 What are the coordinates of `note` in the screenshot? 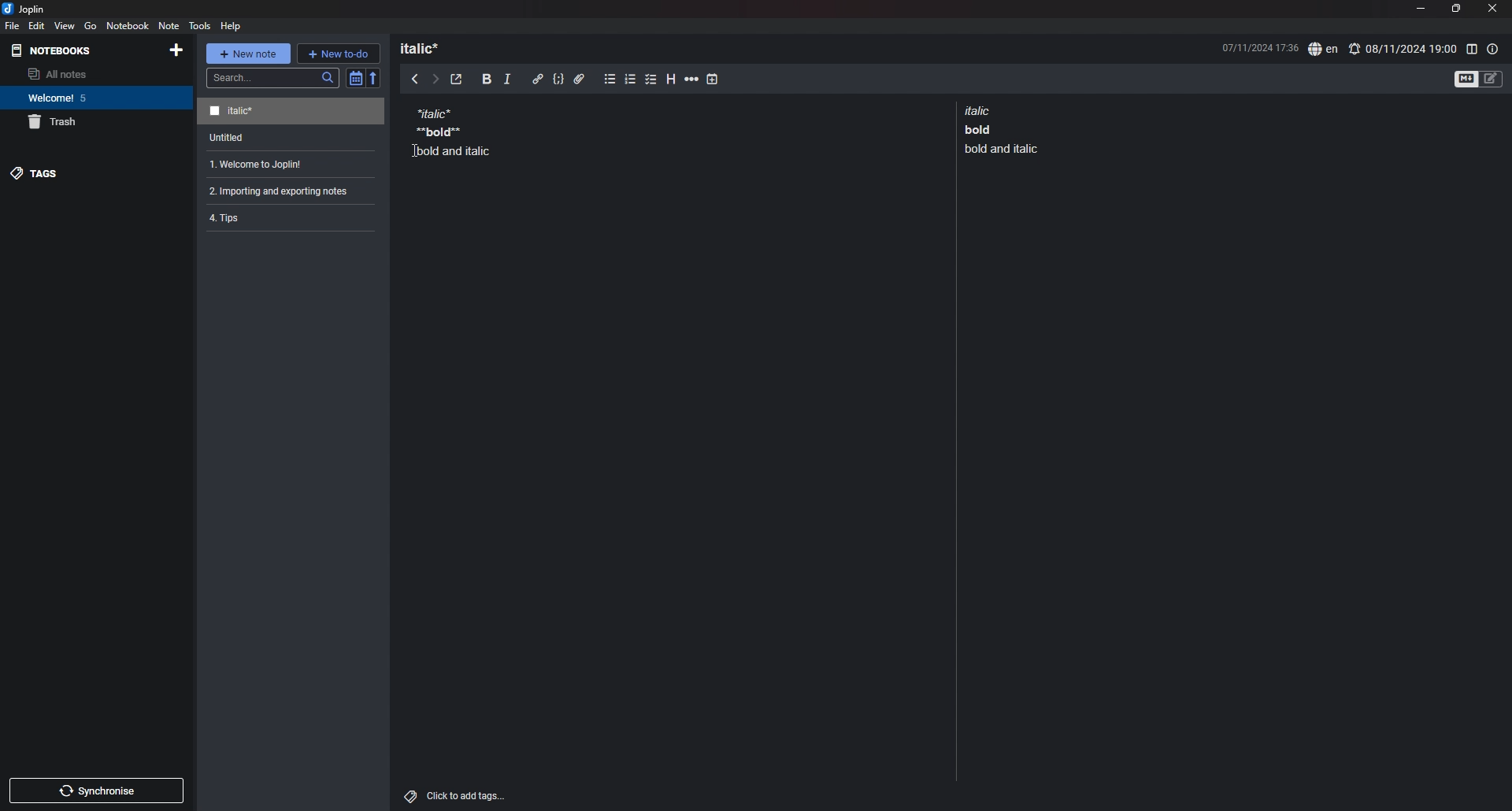 It's located at (284, 191).